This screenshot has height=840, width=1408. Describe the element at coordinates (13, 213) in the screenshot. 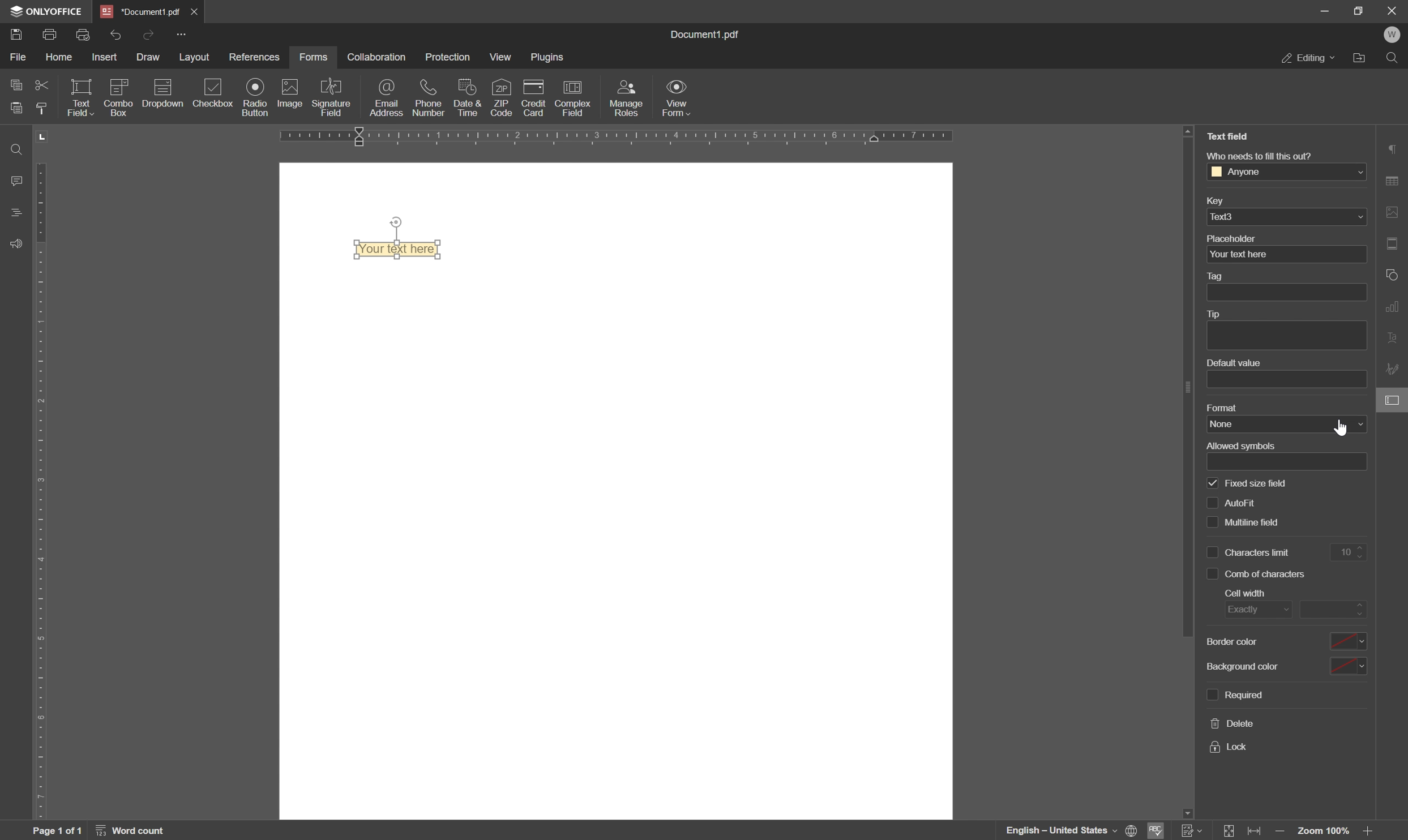

I see `headings` at that location.